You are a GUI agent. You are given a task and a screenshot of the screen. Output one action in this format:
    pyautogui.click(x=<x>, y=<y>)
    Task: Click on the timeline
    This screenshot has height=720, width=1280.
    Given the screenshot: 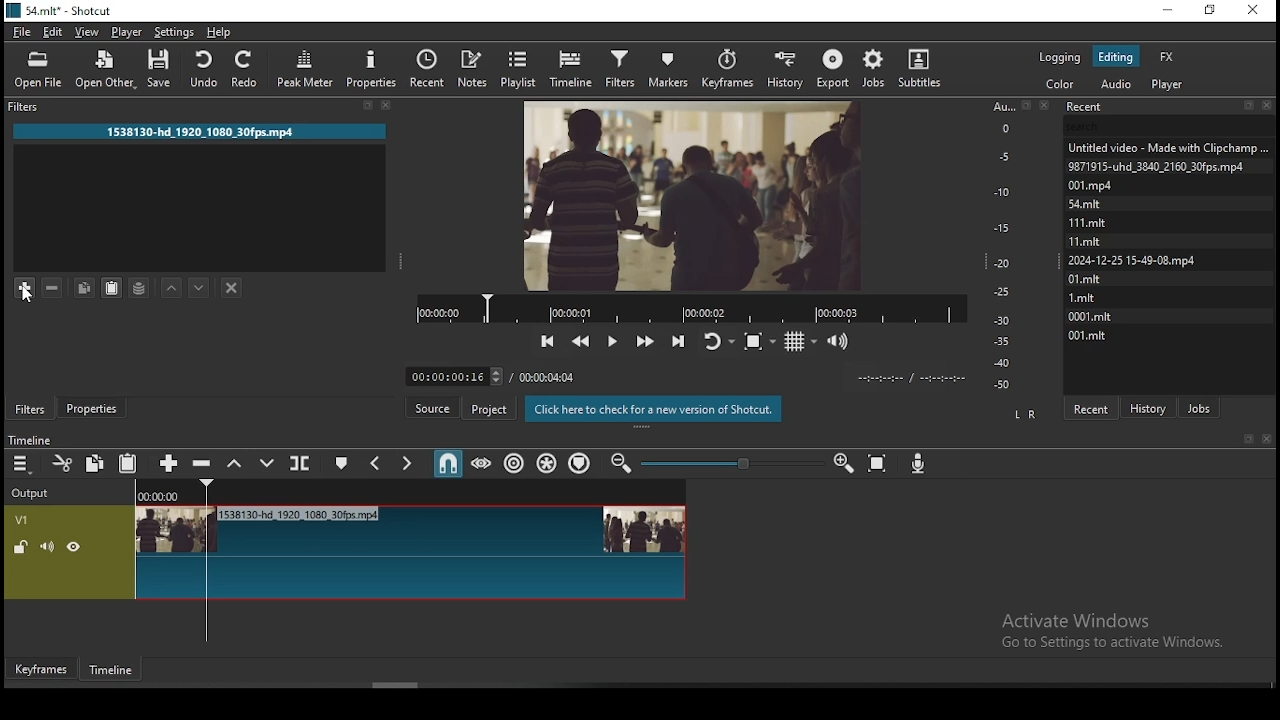 What is the action you would take?
    pyautogui.click(x=572, y=68)
    